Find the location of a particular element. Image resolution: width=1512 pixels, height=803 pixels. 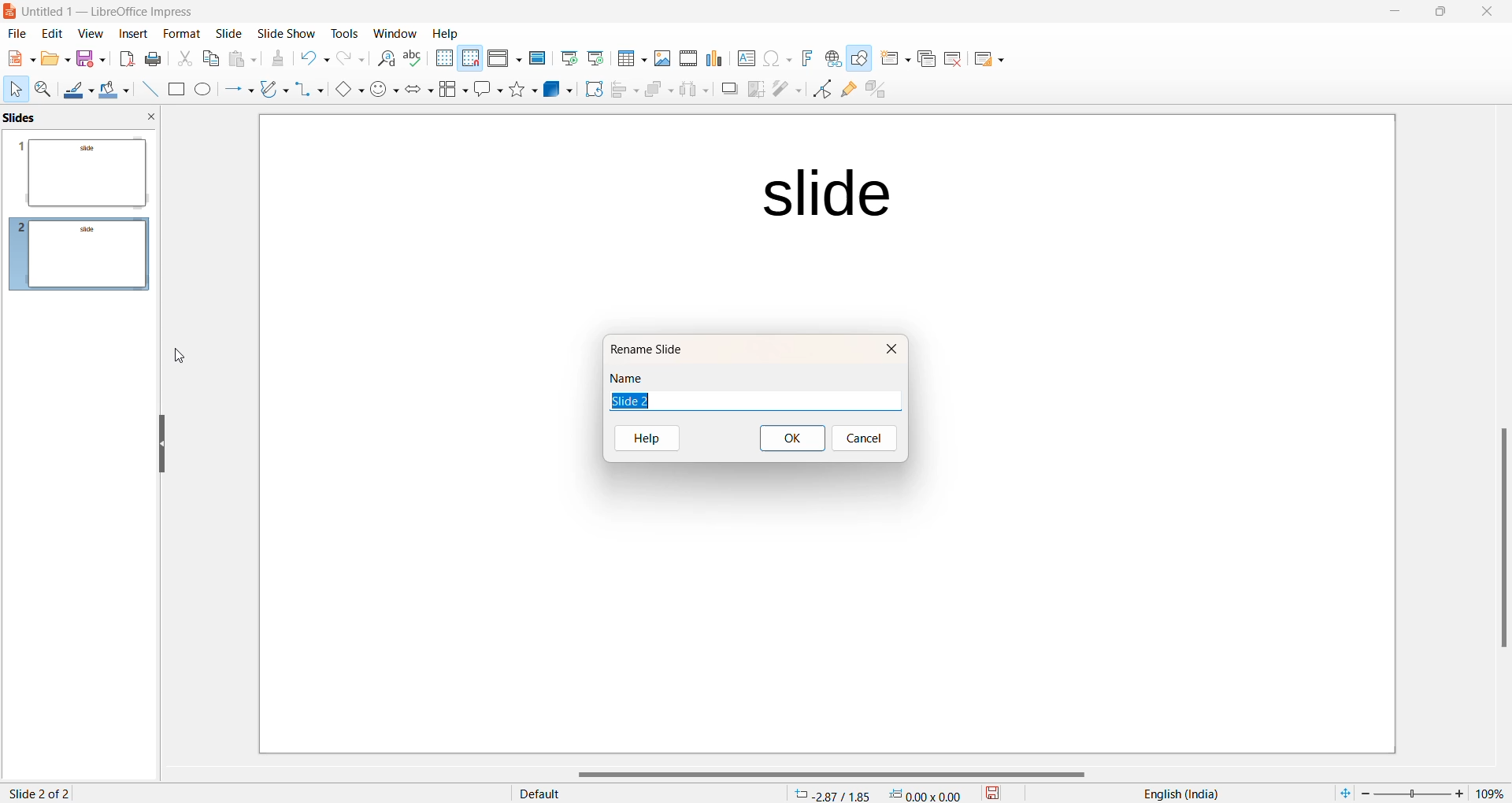

Insert audio and video is located at coordinates (686, 57).